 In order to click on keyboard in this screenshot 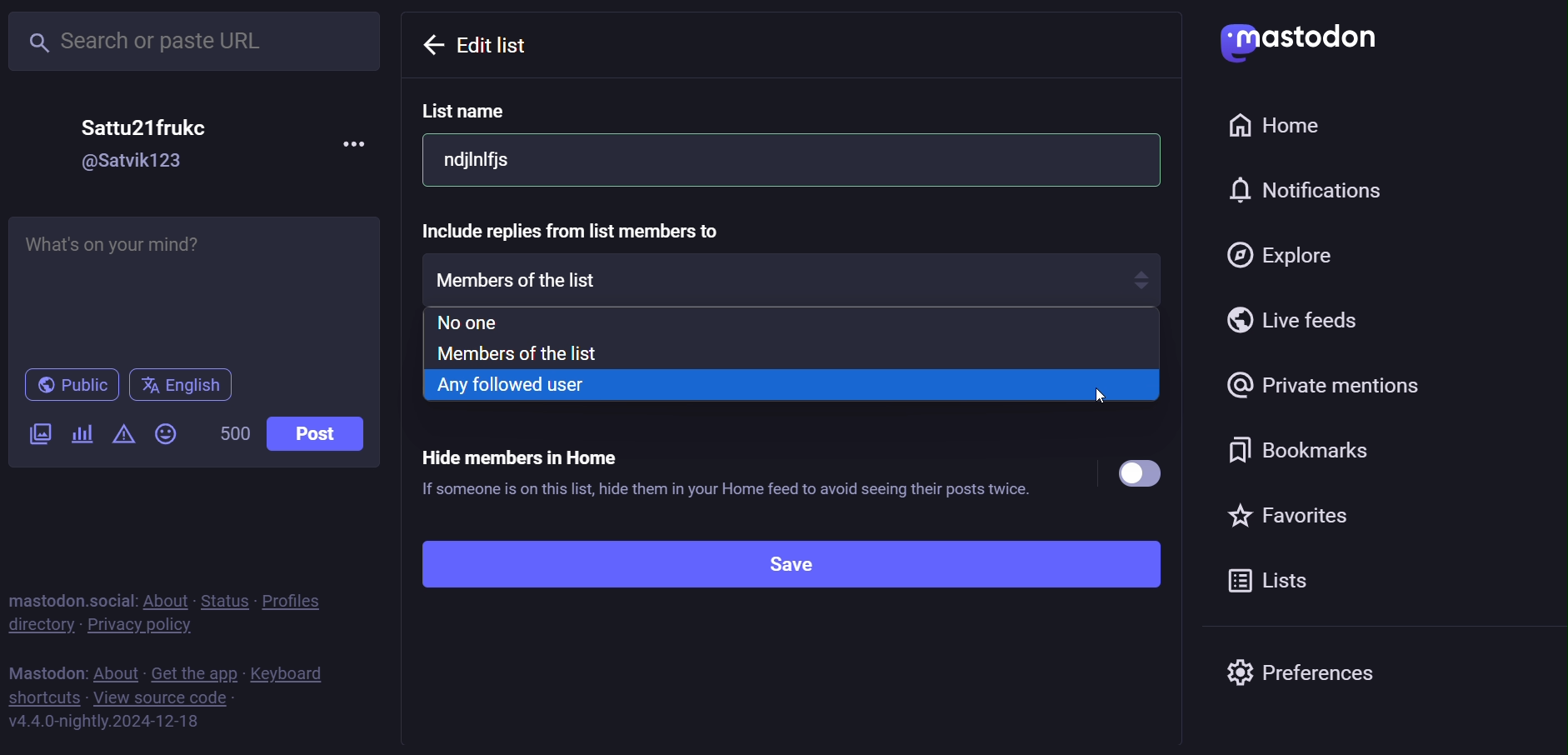, I will do `click(294, 673)`.